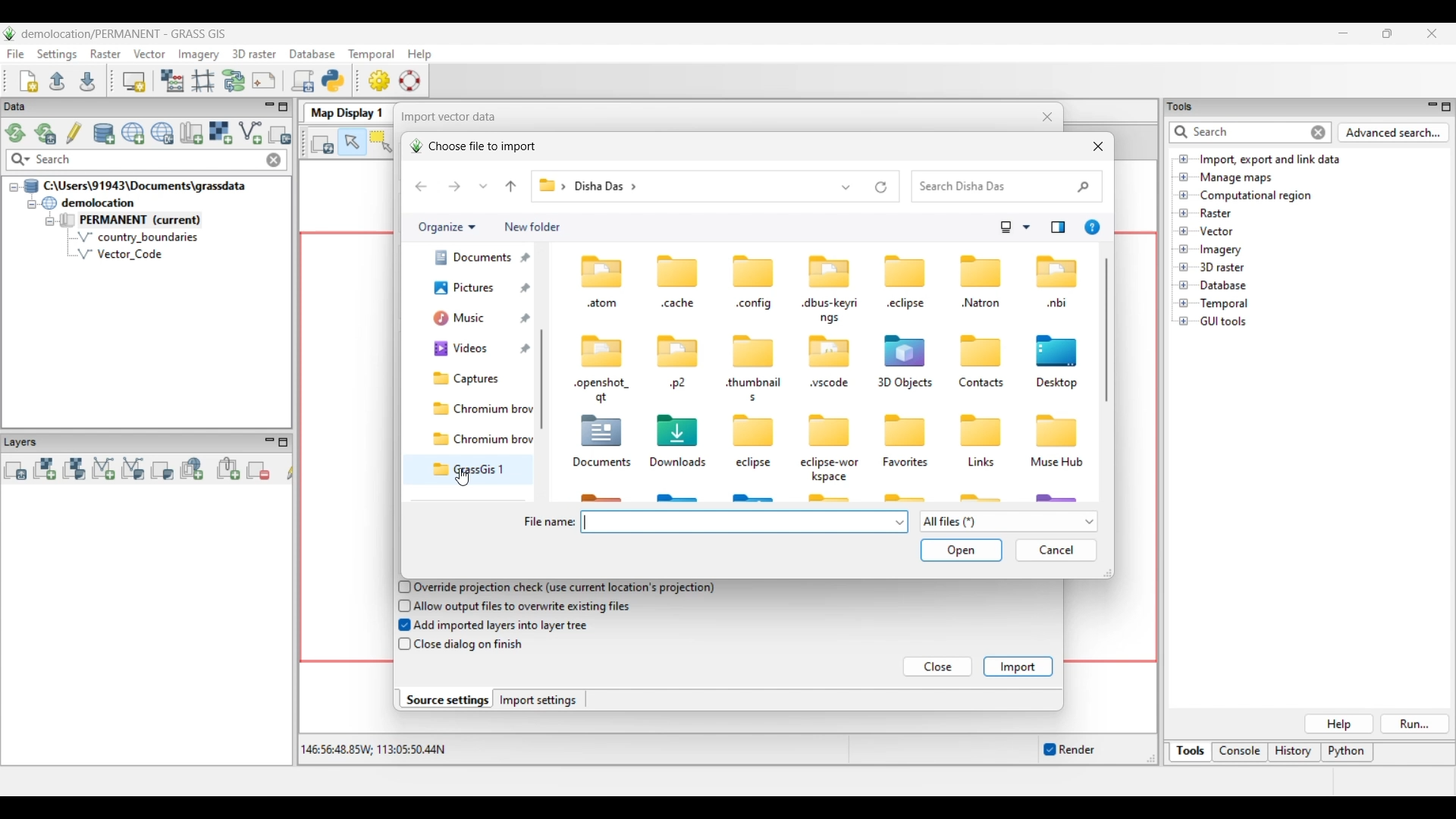  What do you see at coordinates (134, 82) in the screenshot?
I see `Start new map display` at bounding box center [134, 82].